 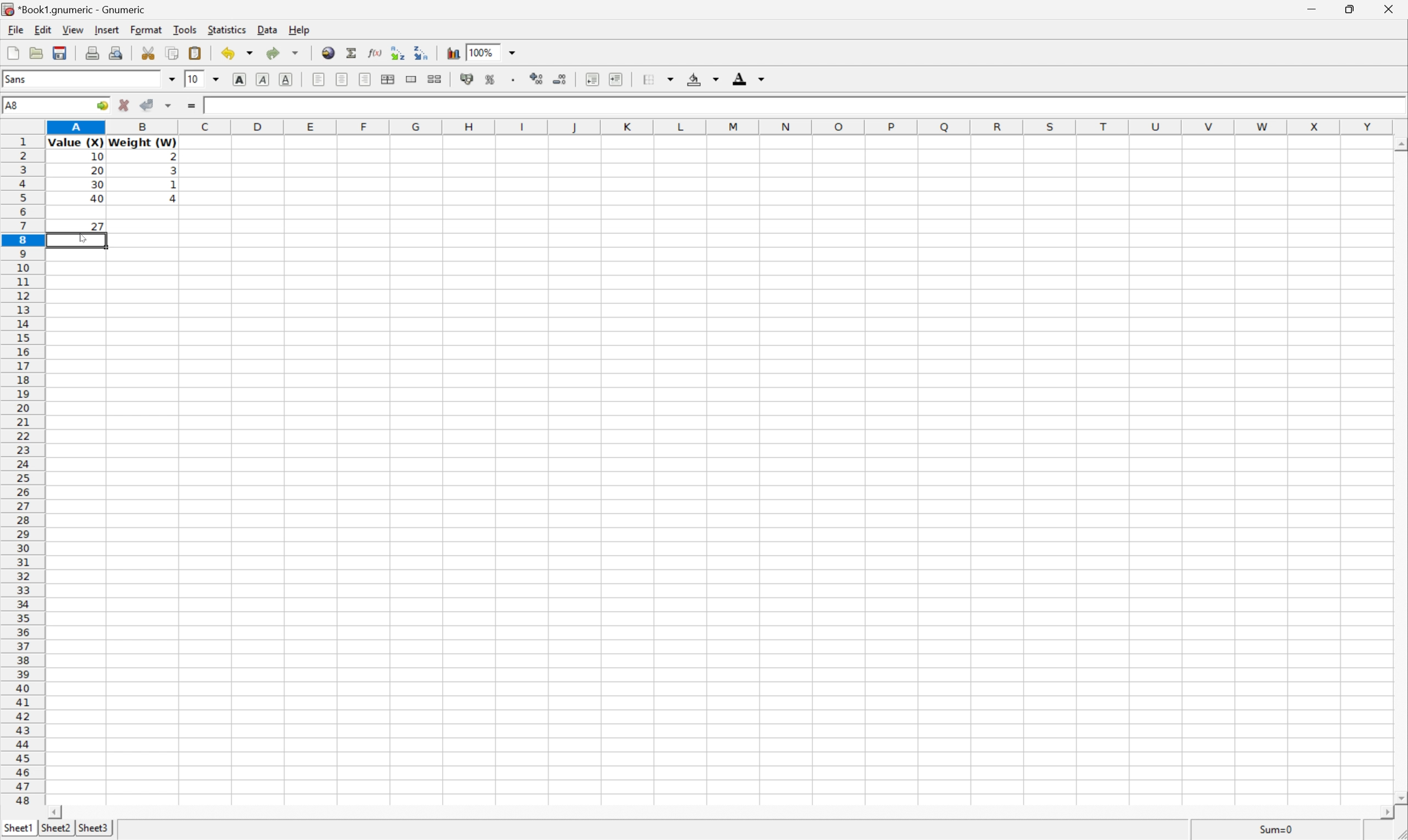 I want to click on Sum in current cell, so click(x=351, y=52).